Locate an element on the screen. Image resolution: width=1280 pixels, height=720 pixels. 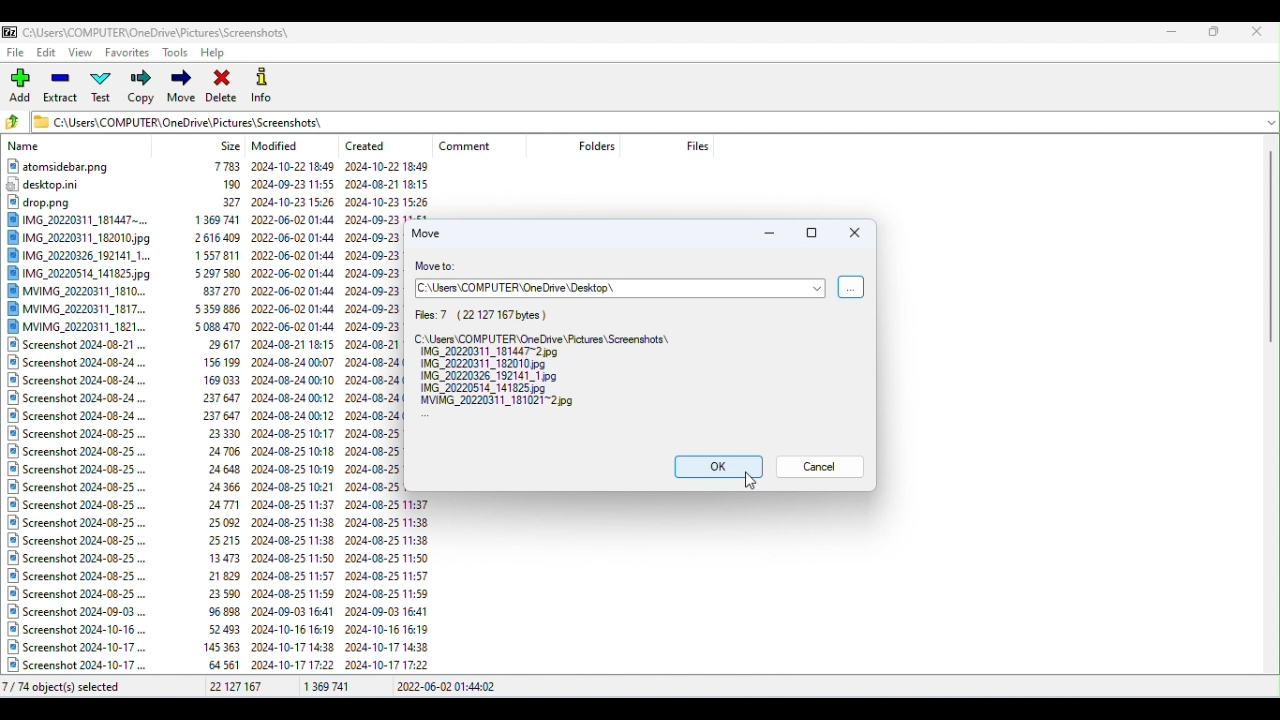
Created is located at coordinates (372, 142).